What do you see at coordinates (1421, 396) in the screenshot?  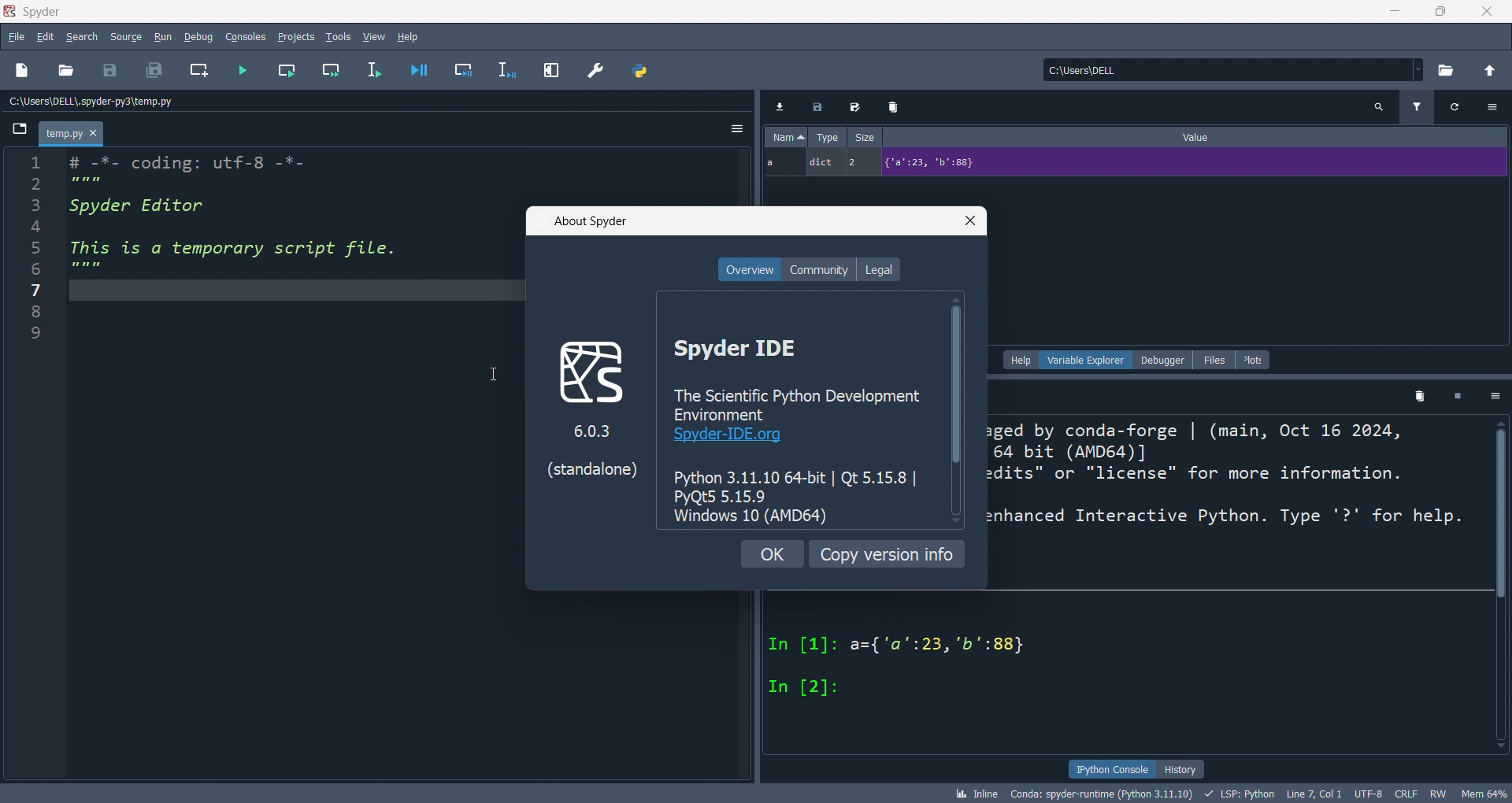 I see `Delete` at bounding box center [1421, 396].